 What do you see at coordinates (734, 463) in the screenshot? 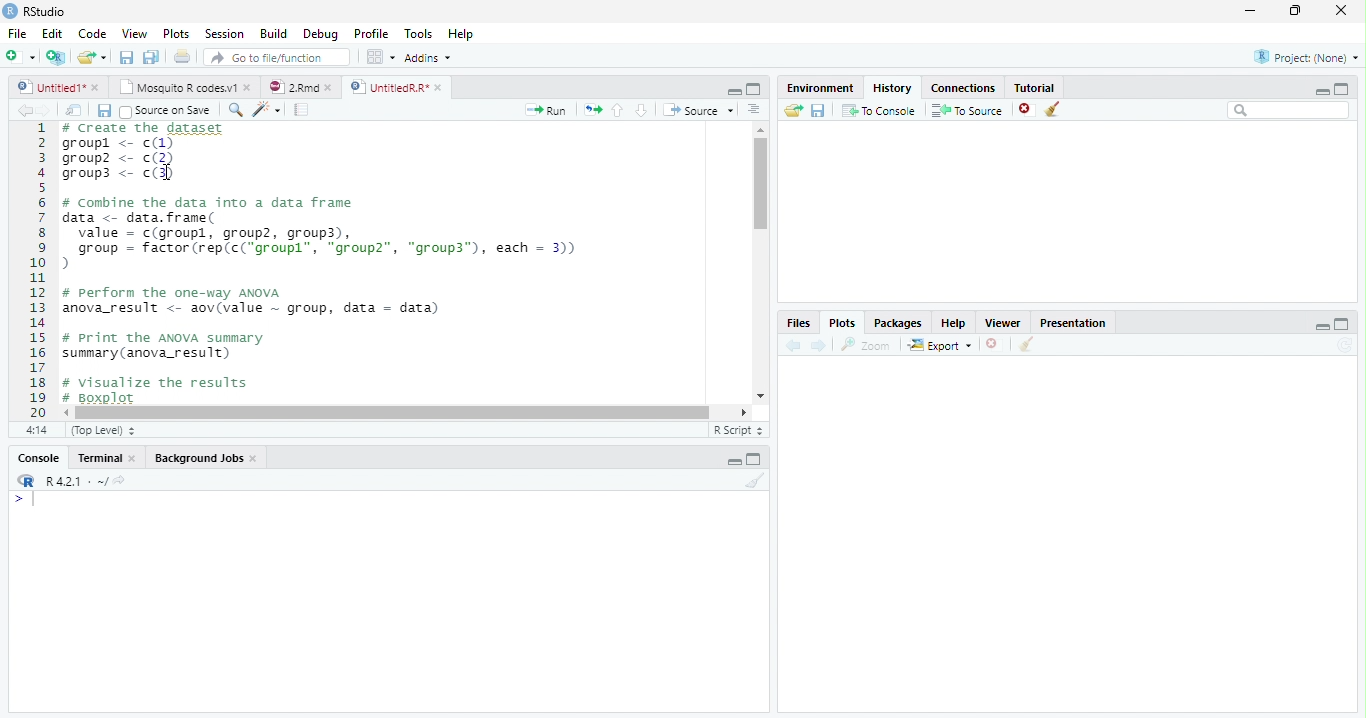
I see `Minimize` at bounding box center [734, 463].